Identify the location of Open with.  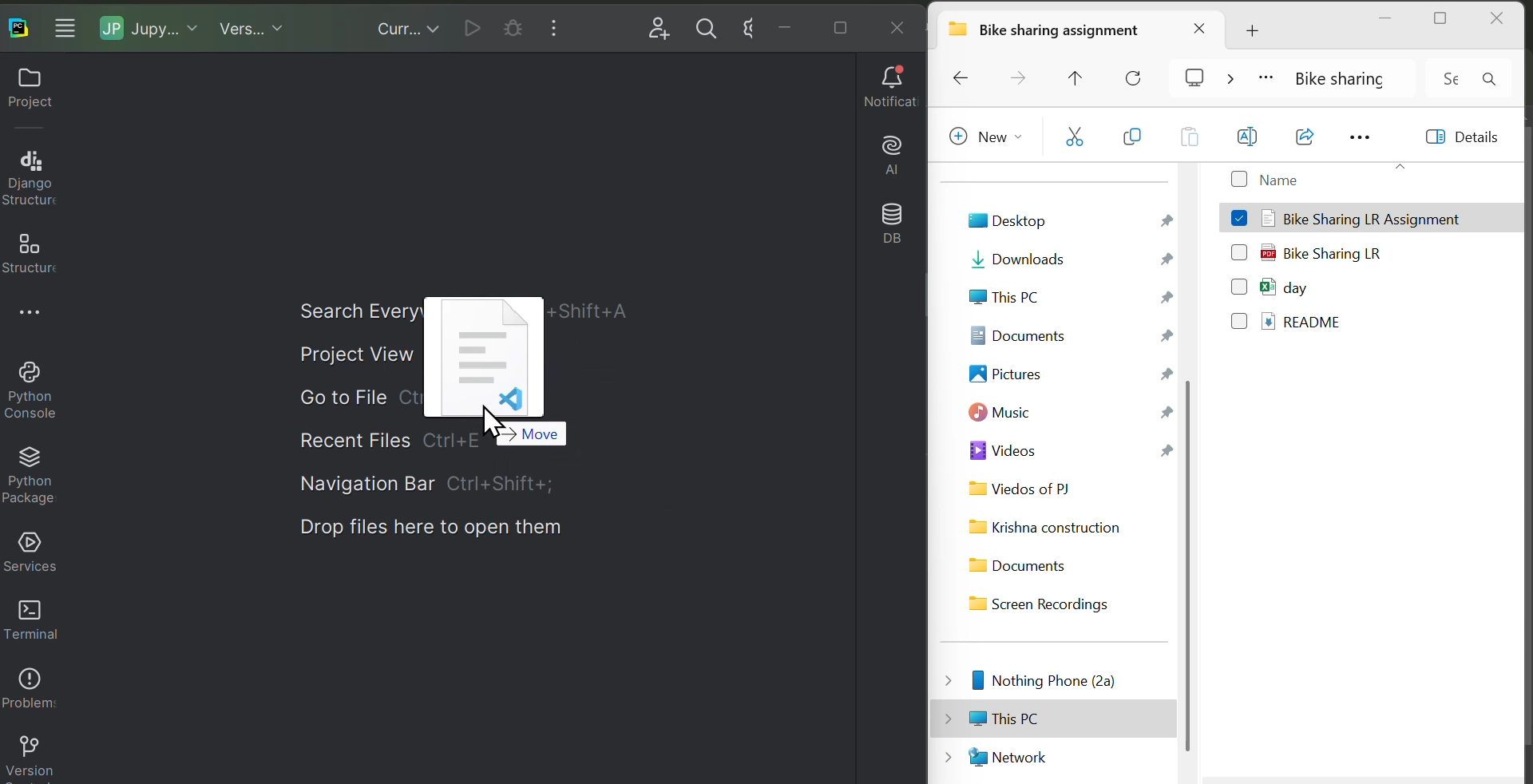
(1311, 137).